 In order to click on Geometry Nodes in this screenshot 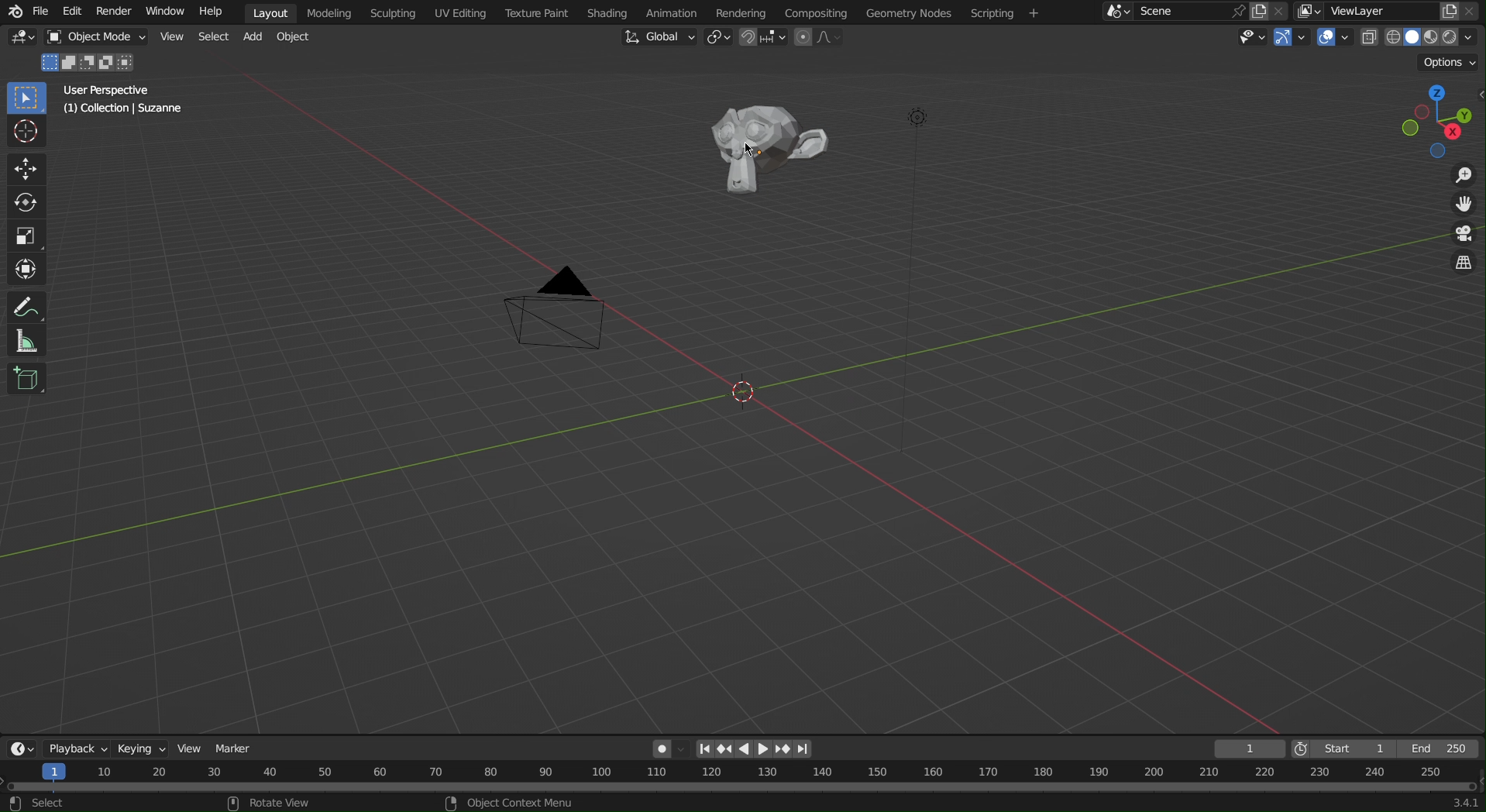, I will do `click(913, 14)`.